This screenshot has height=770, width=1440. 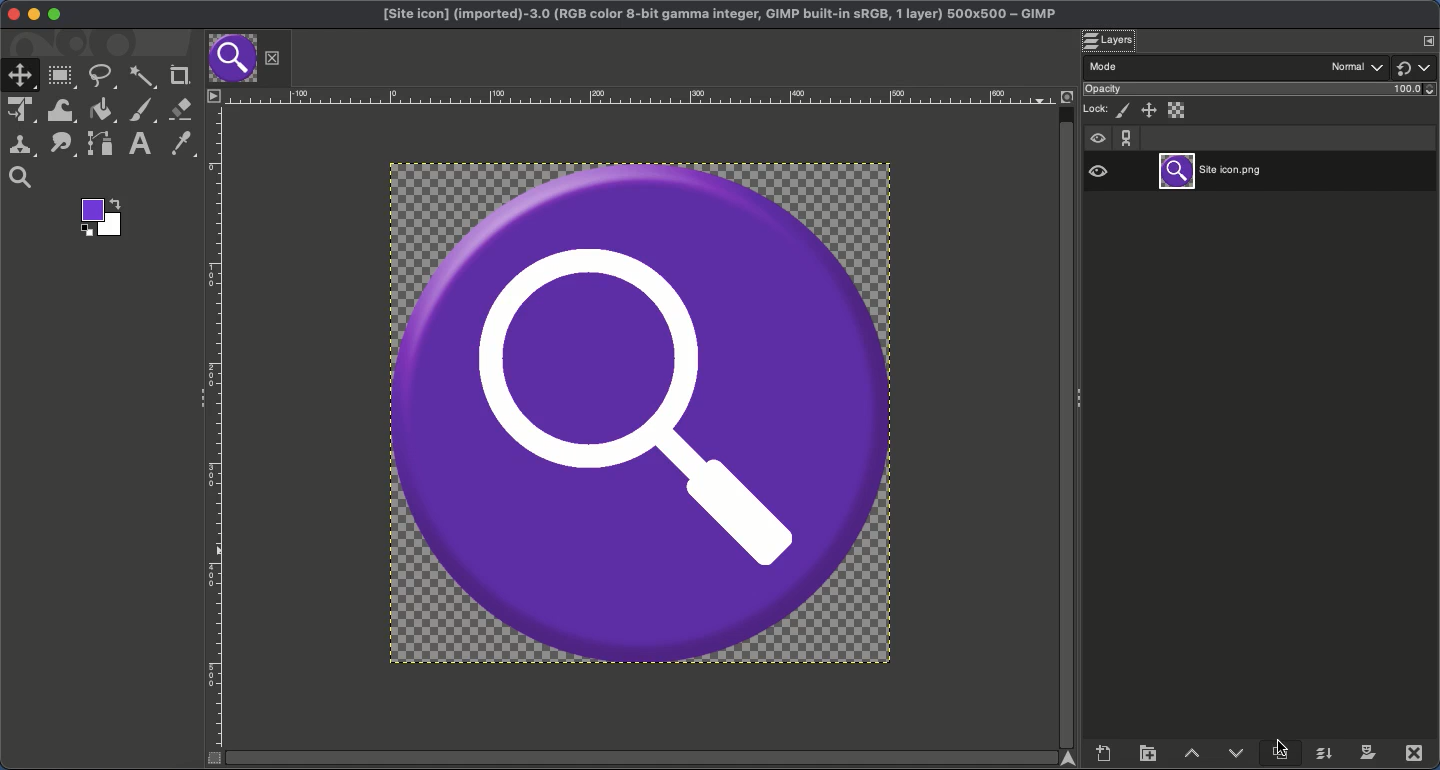 What do you see at coordinates (1406, 69) in the screenshot?
I see `Switch` at bounding box center [1406, 69].